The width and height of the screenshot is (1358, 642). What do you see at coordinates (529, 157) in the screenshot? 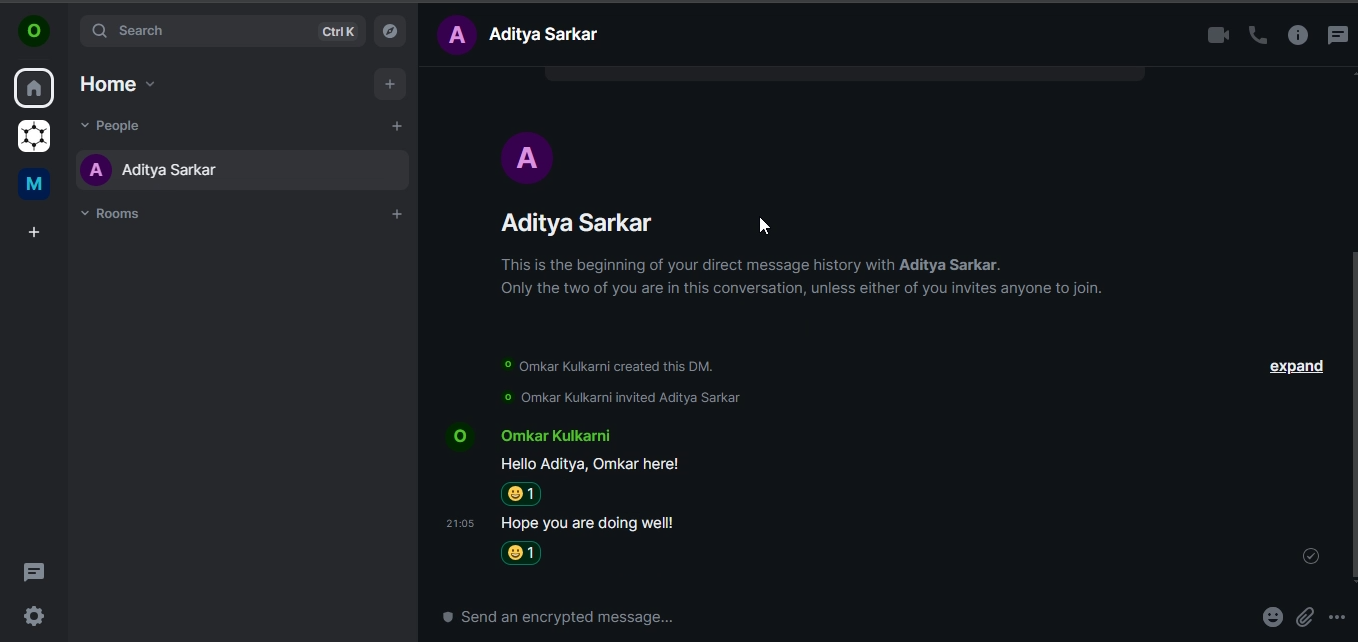
I see `Avatar` at bounding box center [529, 157].